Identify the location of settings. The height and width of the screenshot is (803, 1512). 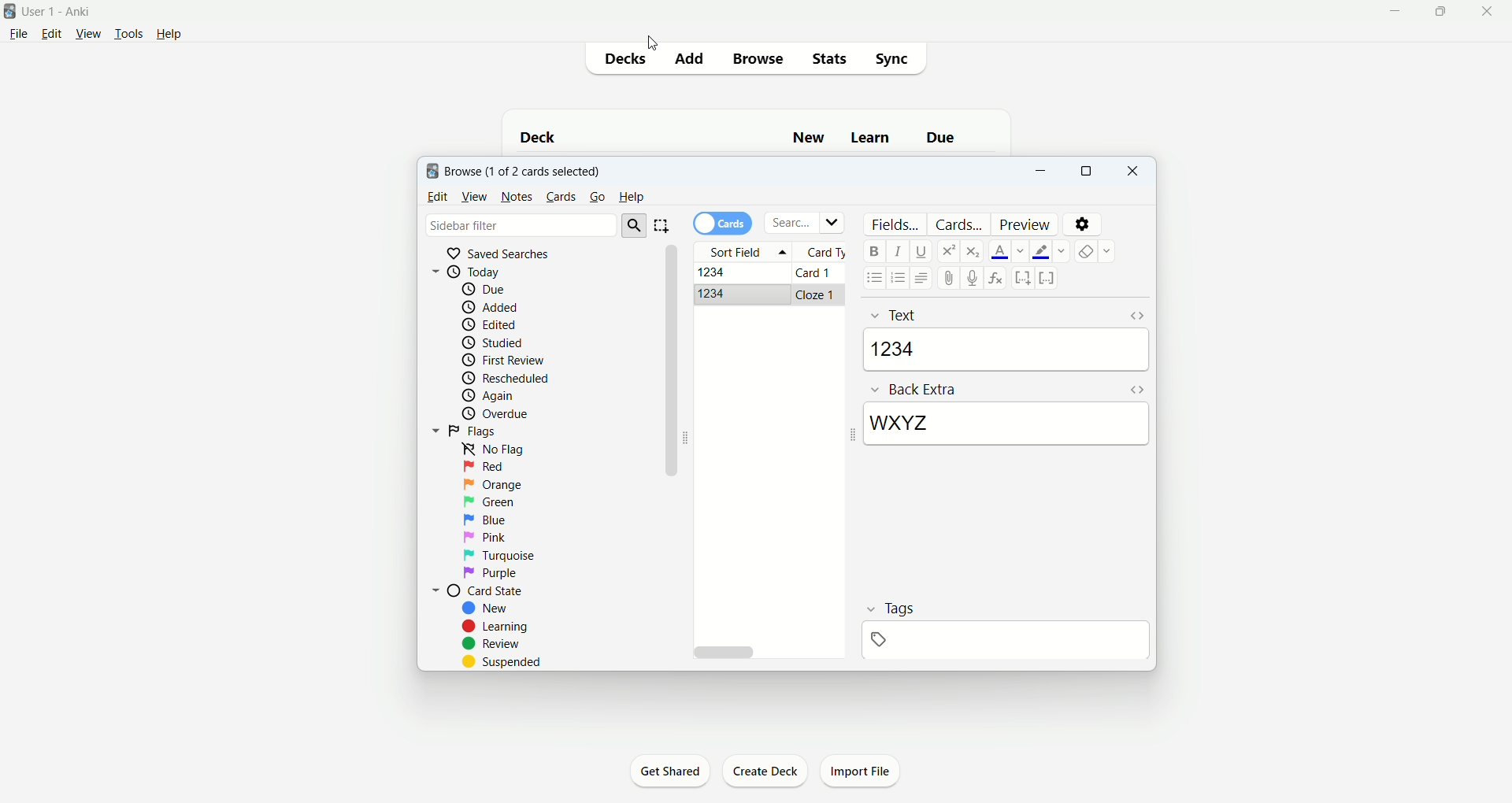
(1080, 223).